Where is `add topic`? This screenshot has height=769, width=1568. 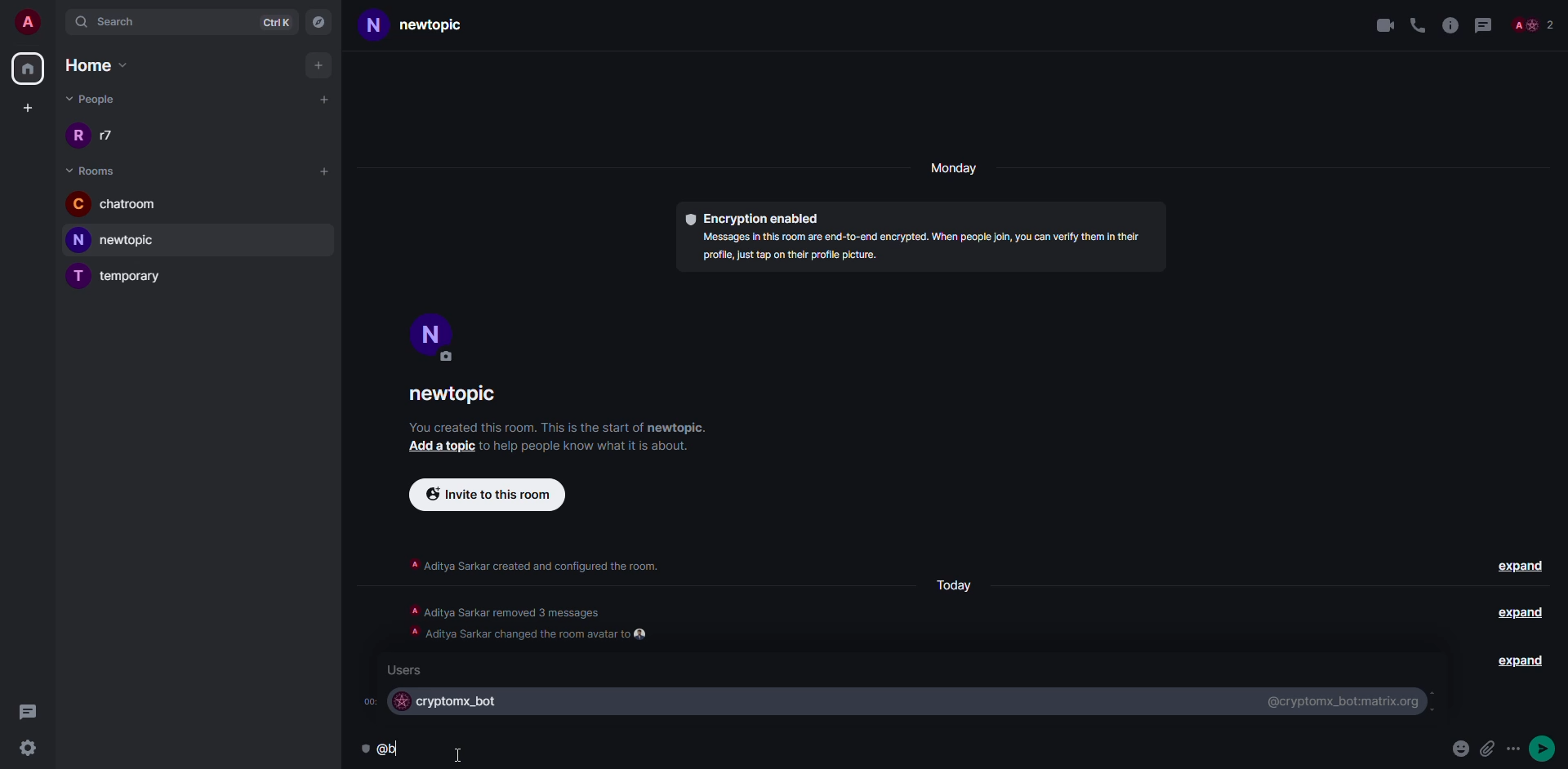
add topic is located at coordinates (436, 447).